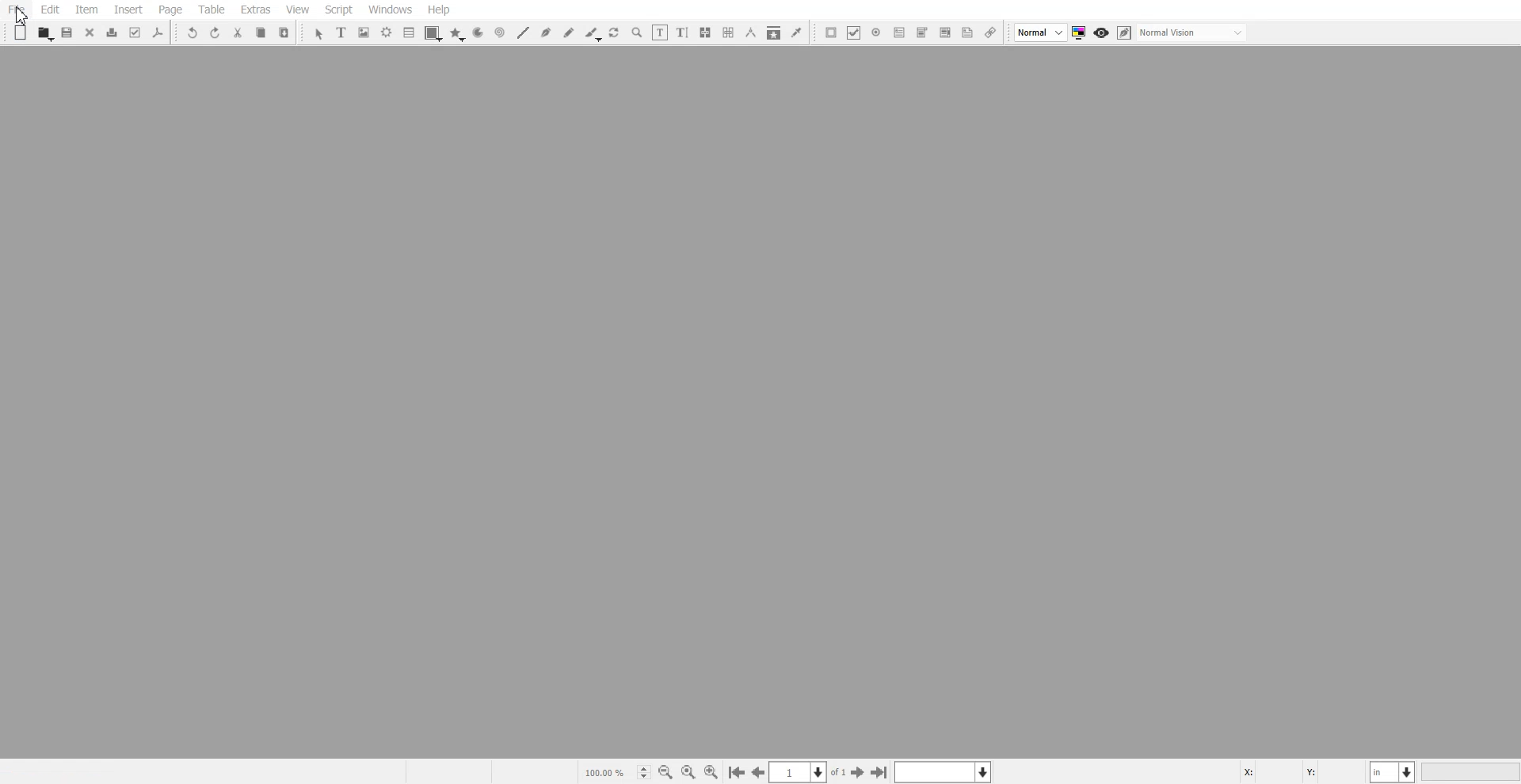 This screenshot has width=1521, height=784. What do you see at coordinates (387, 32) in the screenshot?
I see `Render Frame` at bounding box center [387, 32].